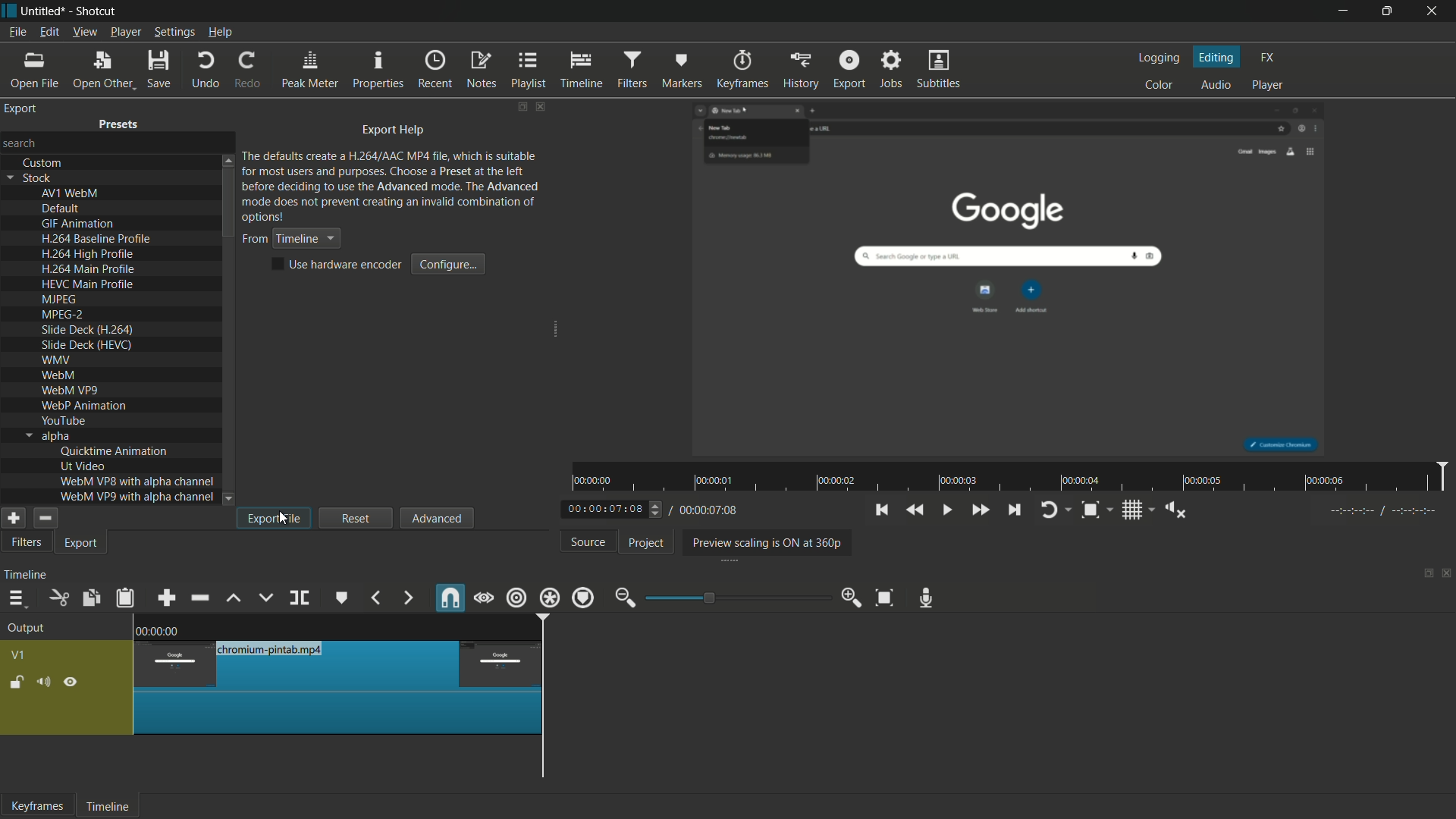 Image resolution: width=1456 pixels, height=819 pixels. What do you see at coordinates (927, 599) in the screenshot?
I see `record audio` at bounding box center [927, 599].